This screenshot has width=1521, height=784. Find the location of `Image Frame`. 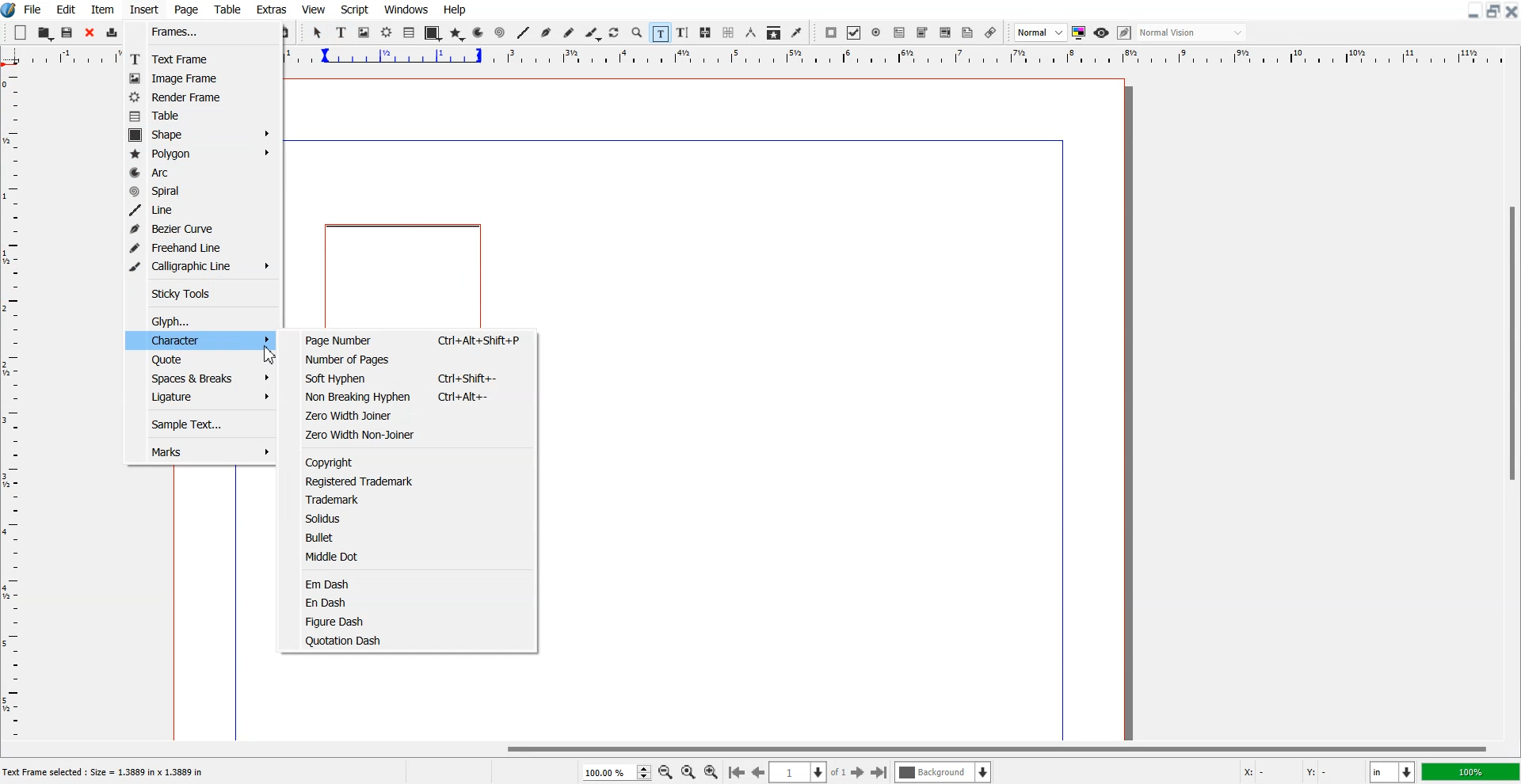

Image Frame is located at coordinates (195, 78).